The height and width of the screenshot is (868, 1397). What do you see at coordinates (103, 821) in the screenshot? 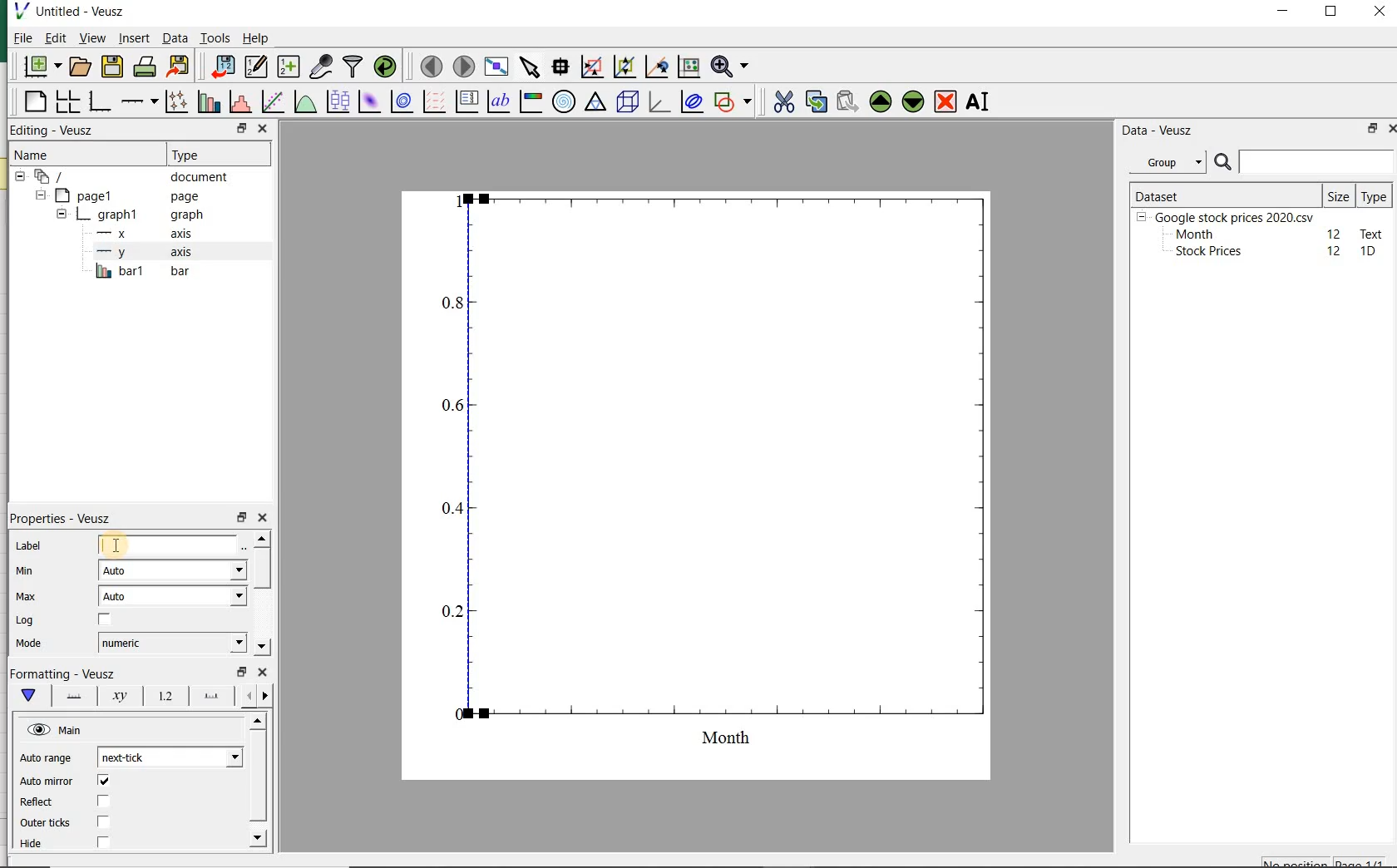
I see `check/uncheck` at bounding box center [103, 821].